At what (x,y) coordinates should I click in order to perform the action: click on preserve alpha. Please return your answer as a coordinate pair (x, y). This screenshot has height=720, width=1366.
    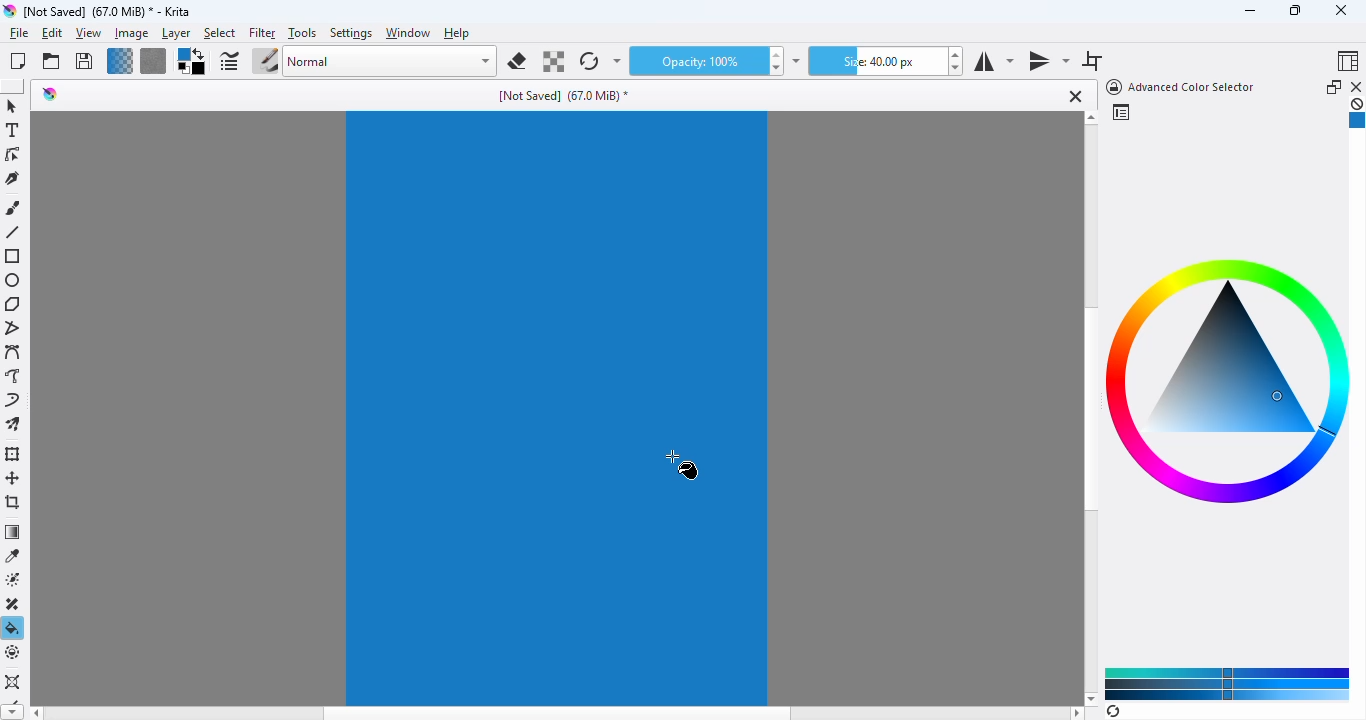
    Looking at the image, I should click on (552, 61).